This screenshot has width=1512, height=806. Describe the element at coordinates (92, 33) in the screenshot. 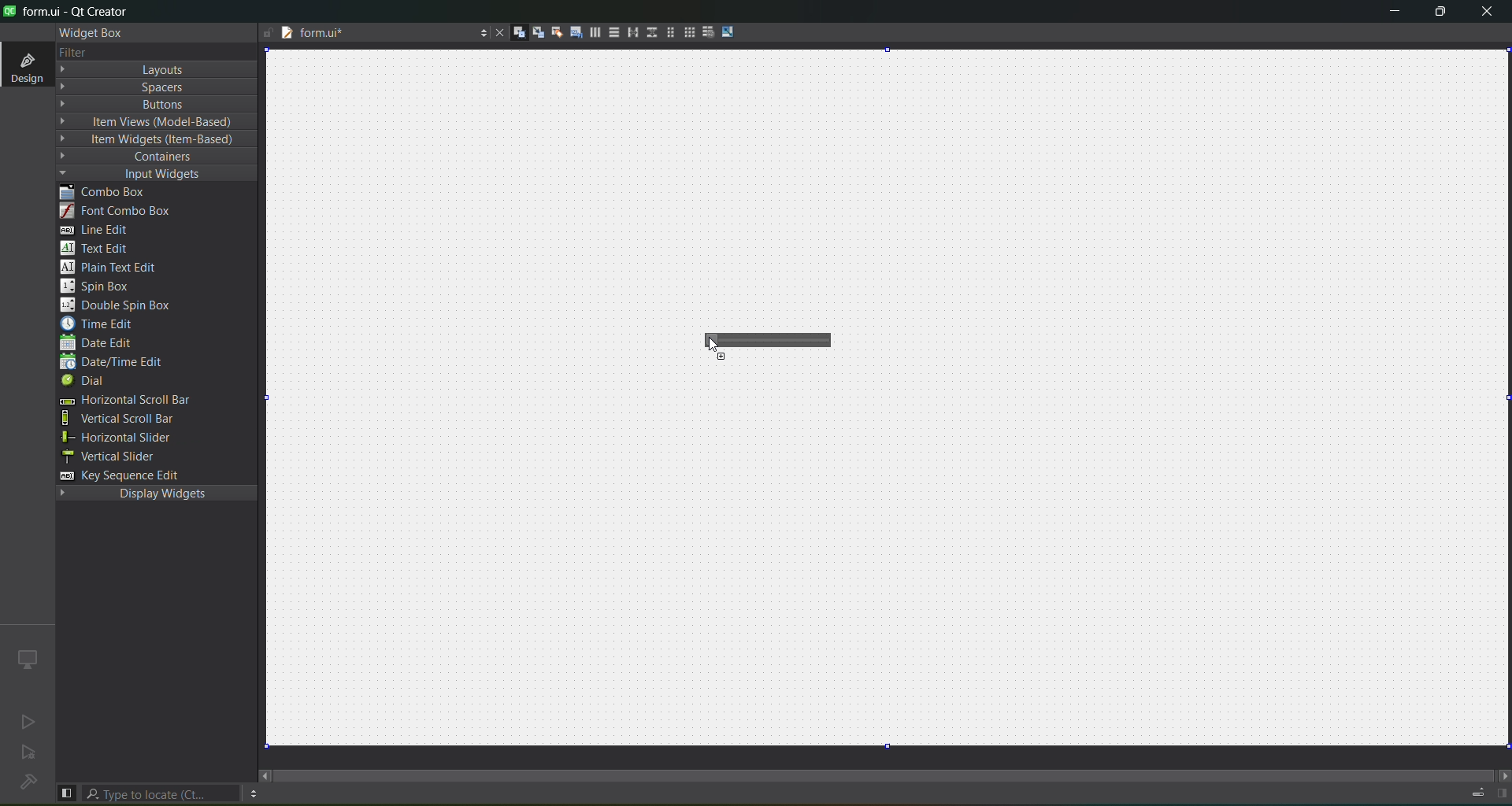

I see `widget box` at that location.